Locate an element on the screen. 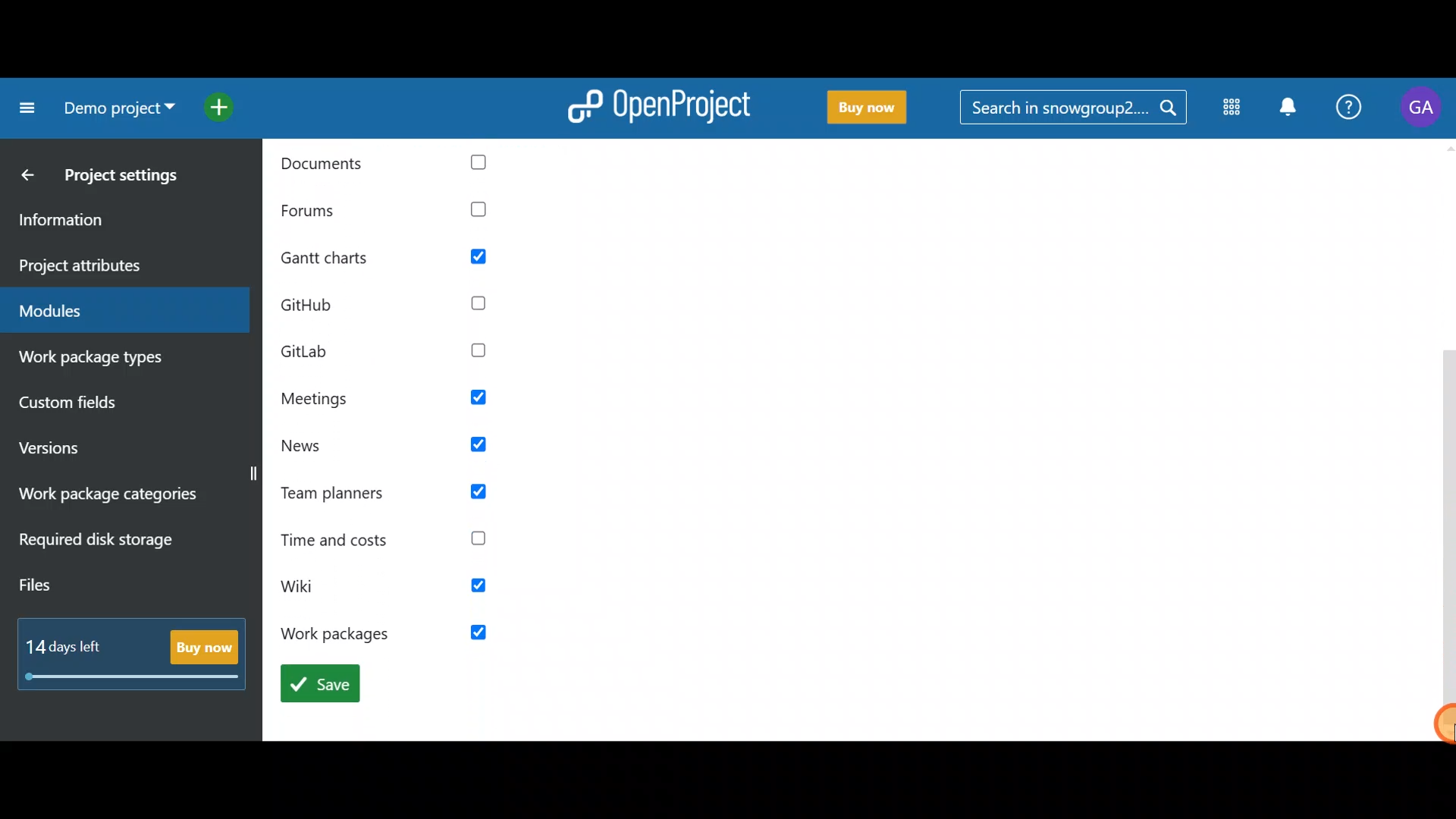 Image resolution: width=1456 pixels, height=819 pixels. Help is located at coordinates (1347, 111).